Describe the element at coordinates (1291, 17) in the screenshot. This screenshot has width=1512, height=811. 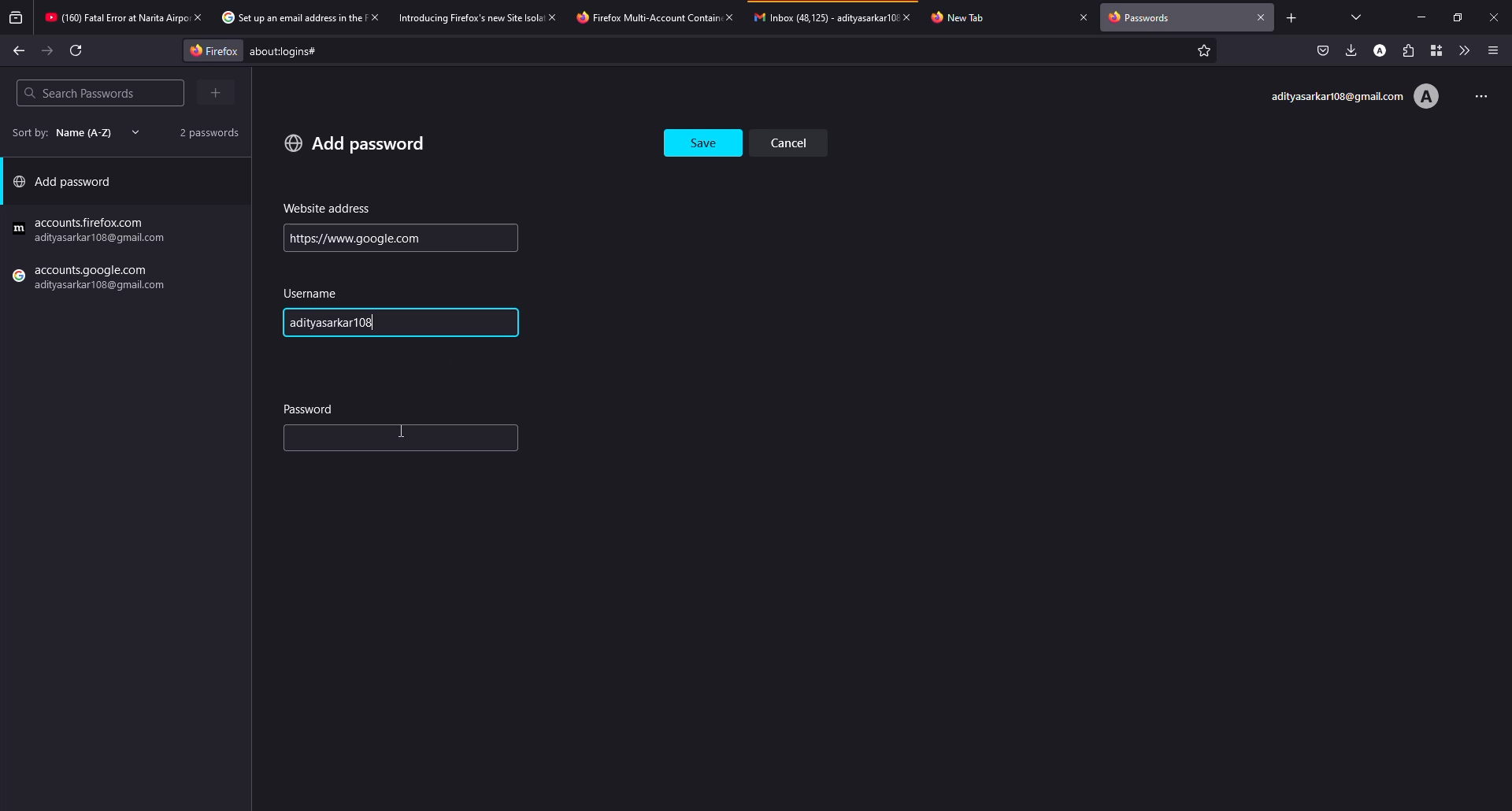
I see `add tab` at that location.